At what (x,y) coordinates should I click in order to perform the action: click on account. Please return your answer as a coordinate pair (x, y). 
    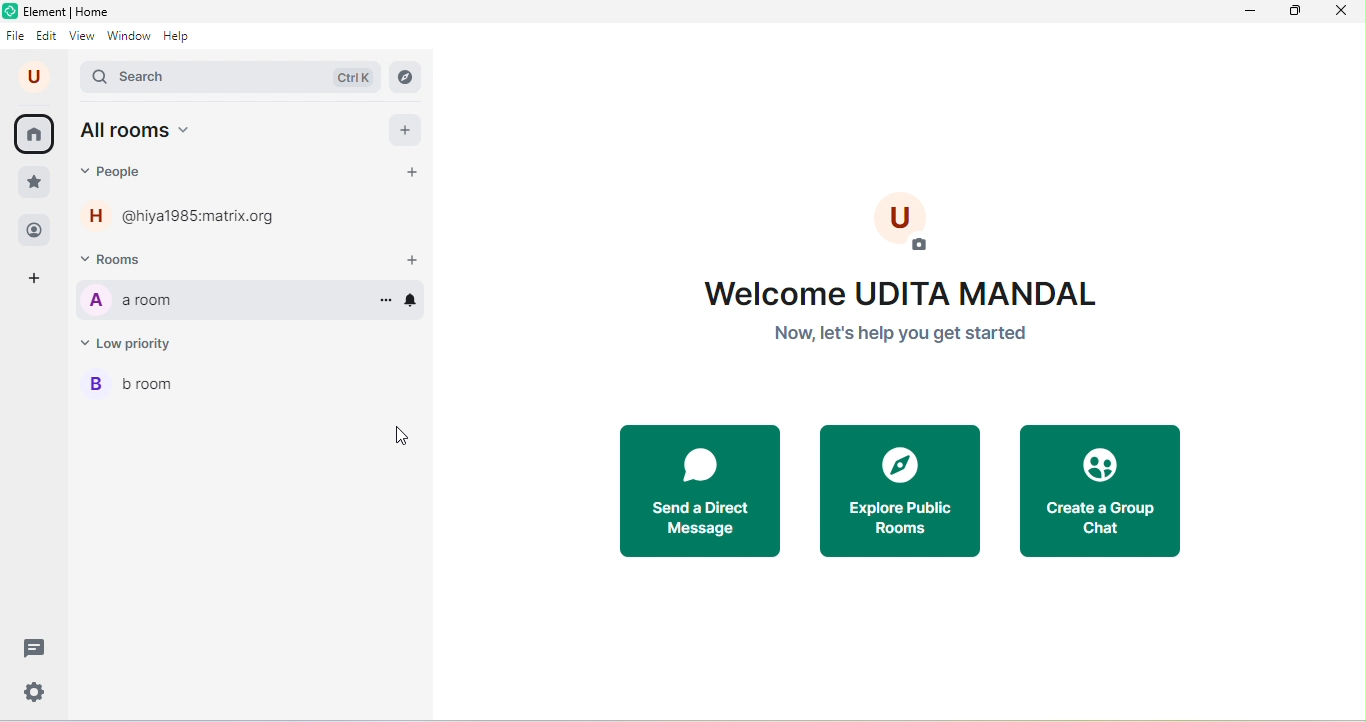
    Looking at the image, I should click on (34, 76).